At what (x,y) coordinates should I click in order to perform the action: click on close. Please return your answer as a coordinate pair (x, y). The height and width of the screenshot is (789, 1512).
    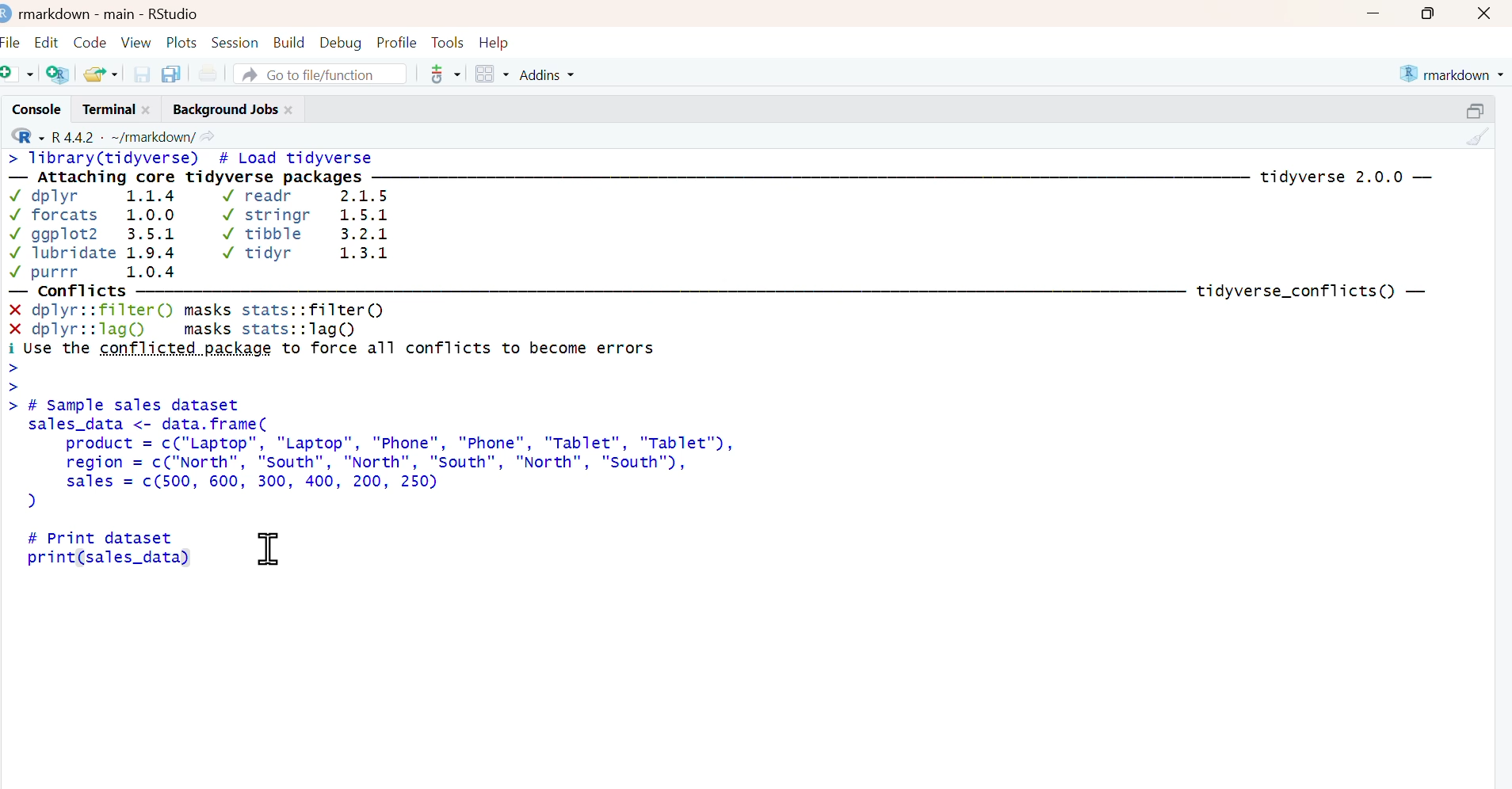
    Looking at the image, I should click on (292, 108).